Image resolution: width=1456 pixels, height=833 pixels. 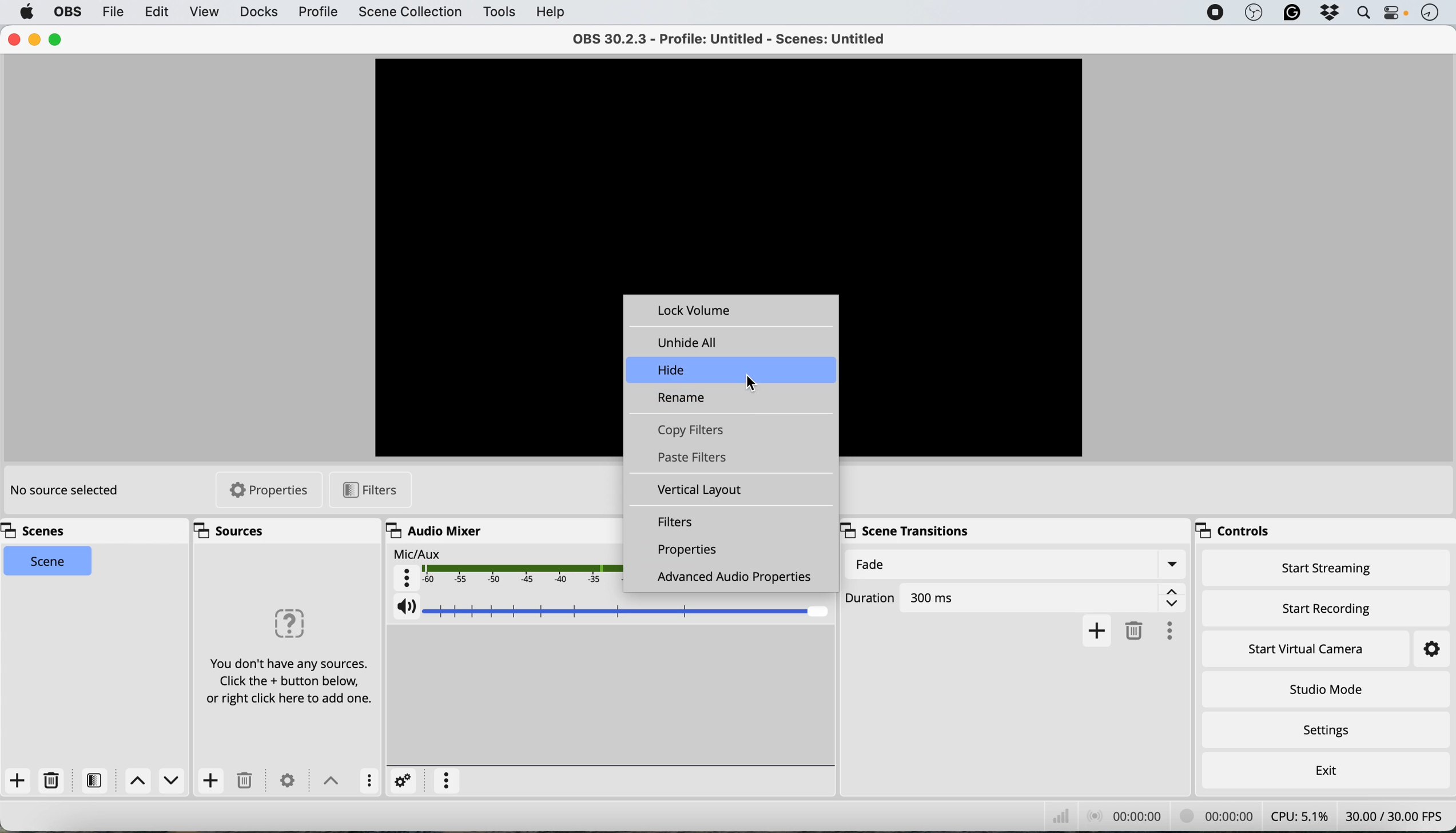 What do you see at coordinates (116, 13) in the screenshot?
I see `file` at bounding box center [116, 13].